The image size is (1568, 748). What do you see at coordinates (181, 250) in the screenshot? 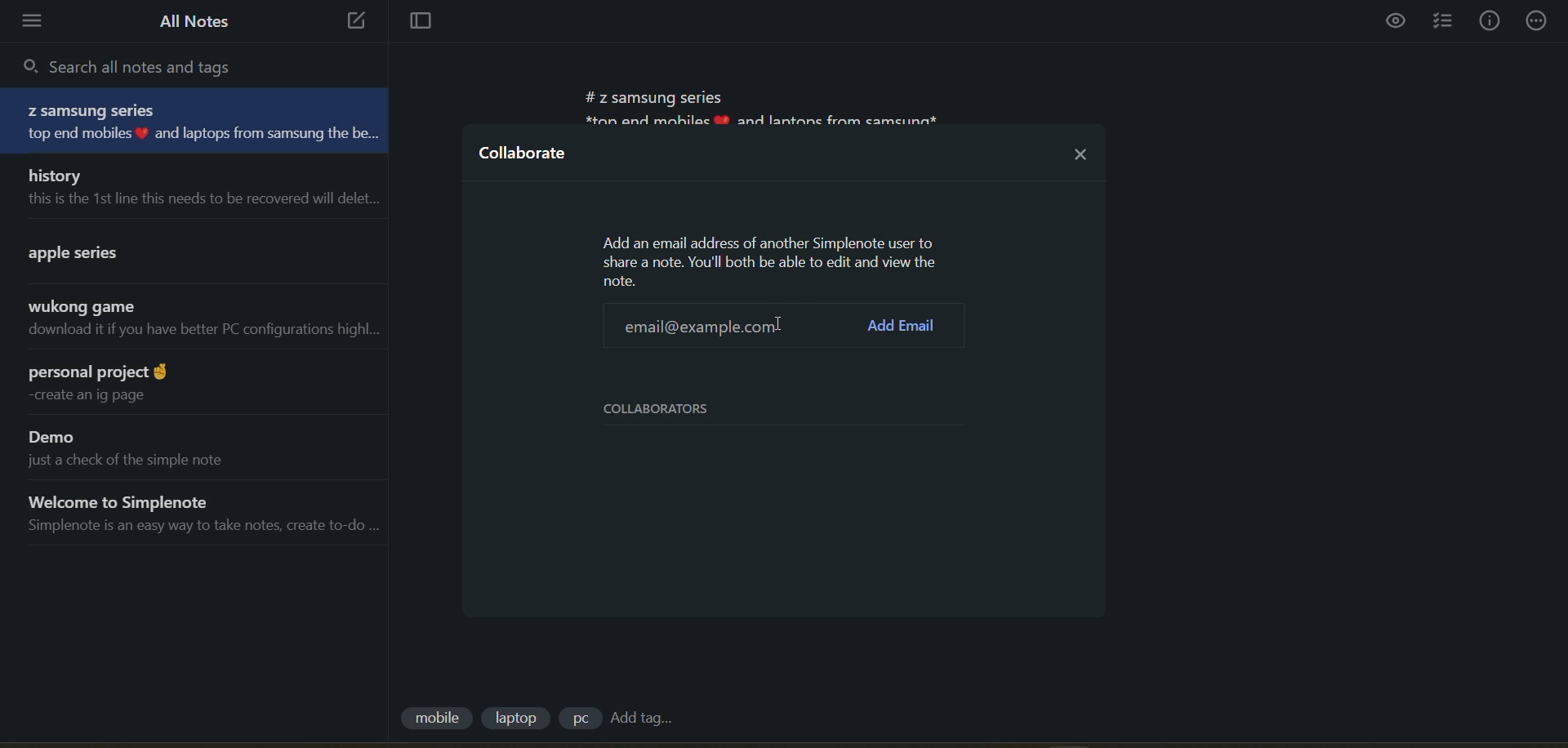
I see `note title and preview` at bounding box center [181, 250].